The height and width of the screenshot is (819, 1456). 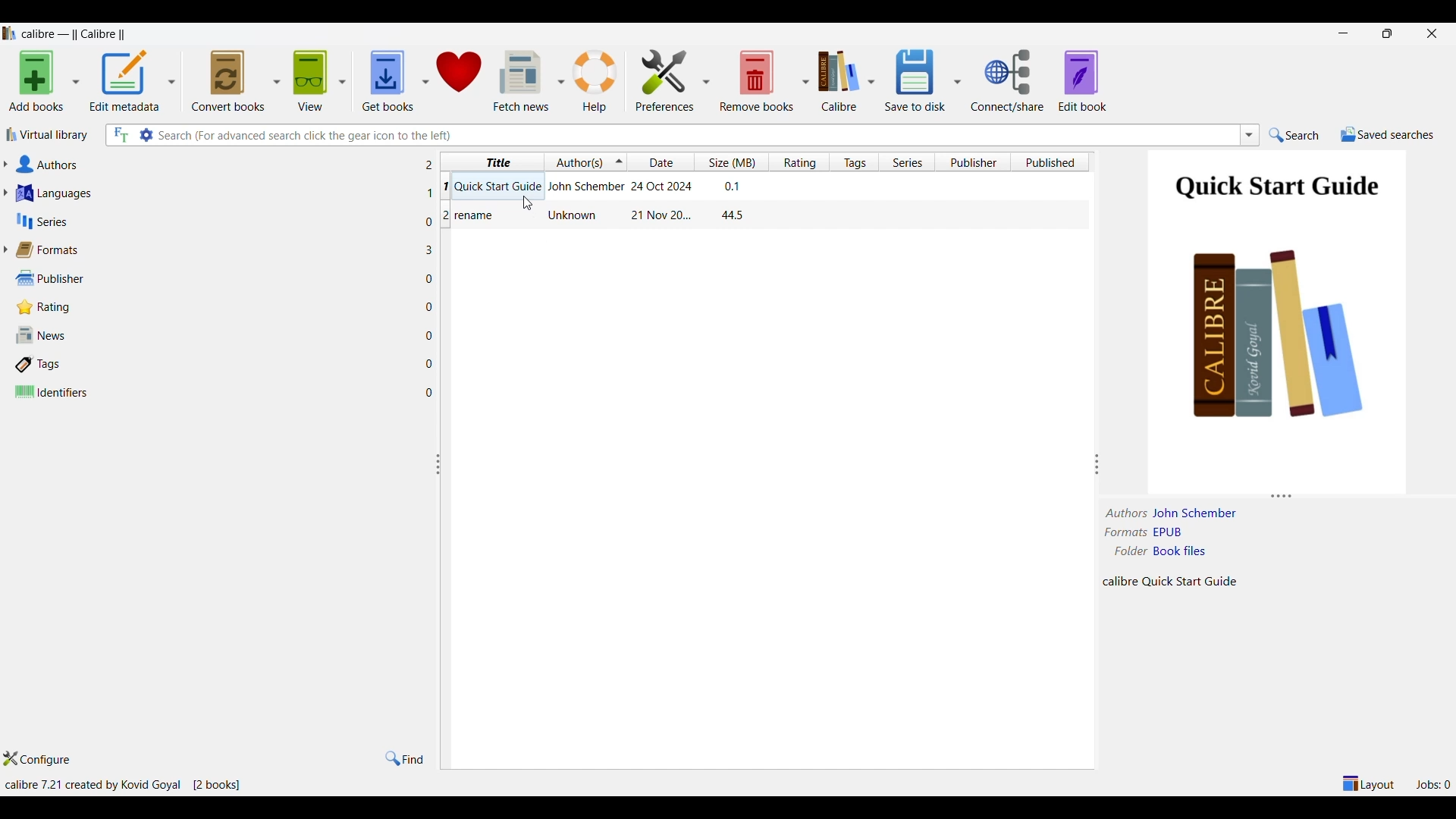 What do you see at coordinates (1171, 533) in the screenshot?
I see `EPUB` at bounding box center [1171, 533].